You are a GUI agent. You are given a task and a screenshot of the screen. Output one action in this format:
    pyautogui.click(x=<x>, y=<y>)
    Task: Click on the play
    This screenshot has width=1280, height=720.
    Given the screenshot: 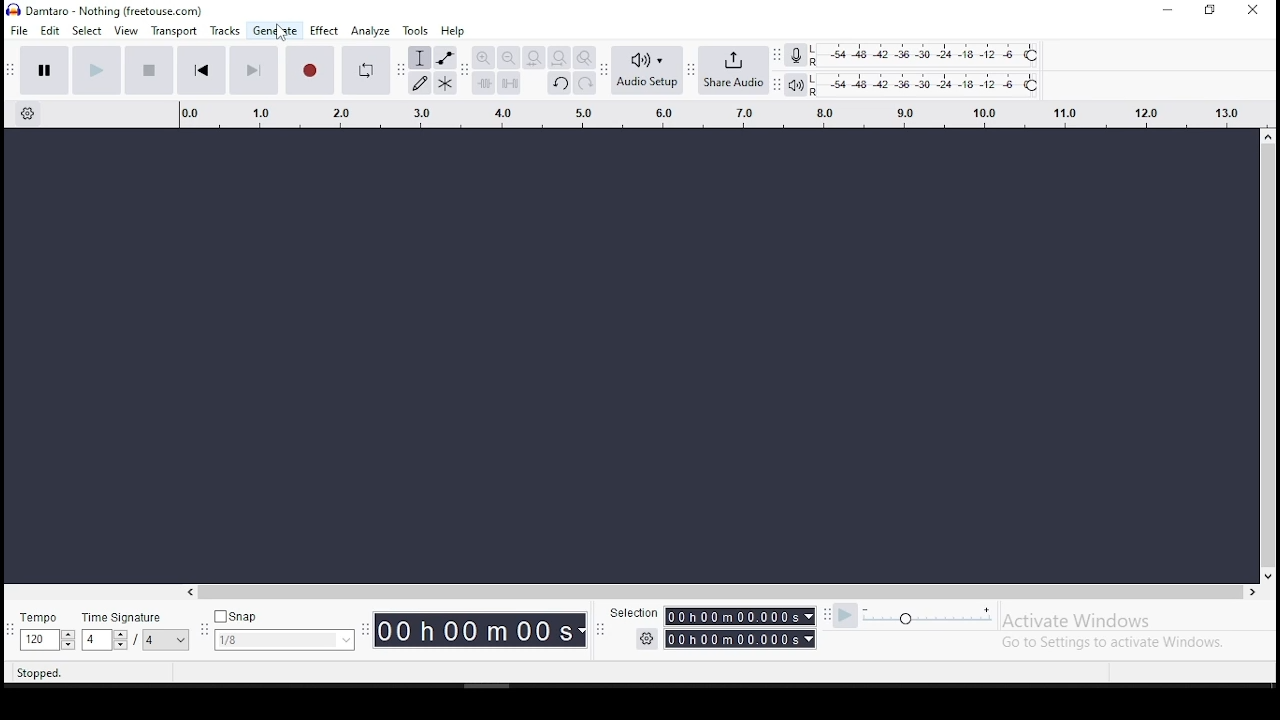 What is the action you would take?
    pyautogui.click(x=97, y=70)
    